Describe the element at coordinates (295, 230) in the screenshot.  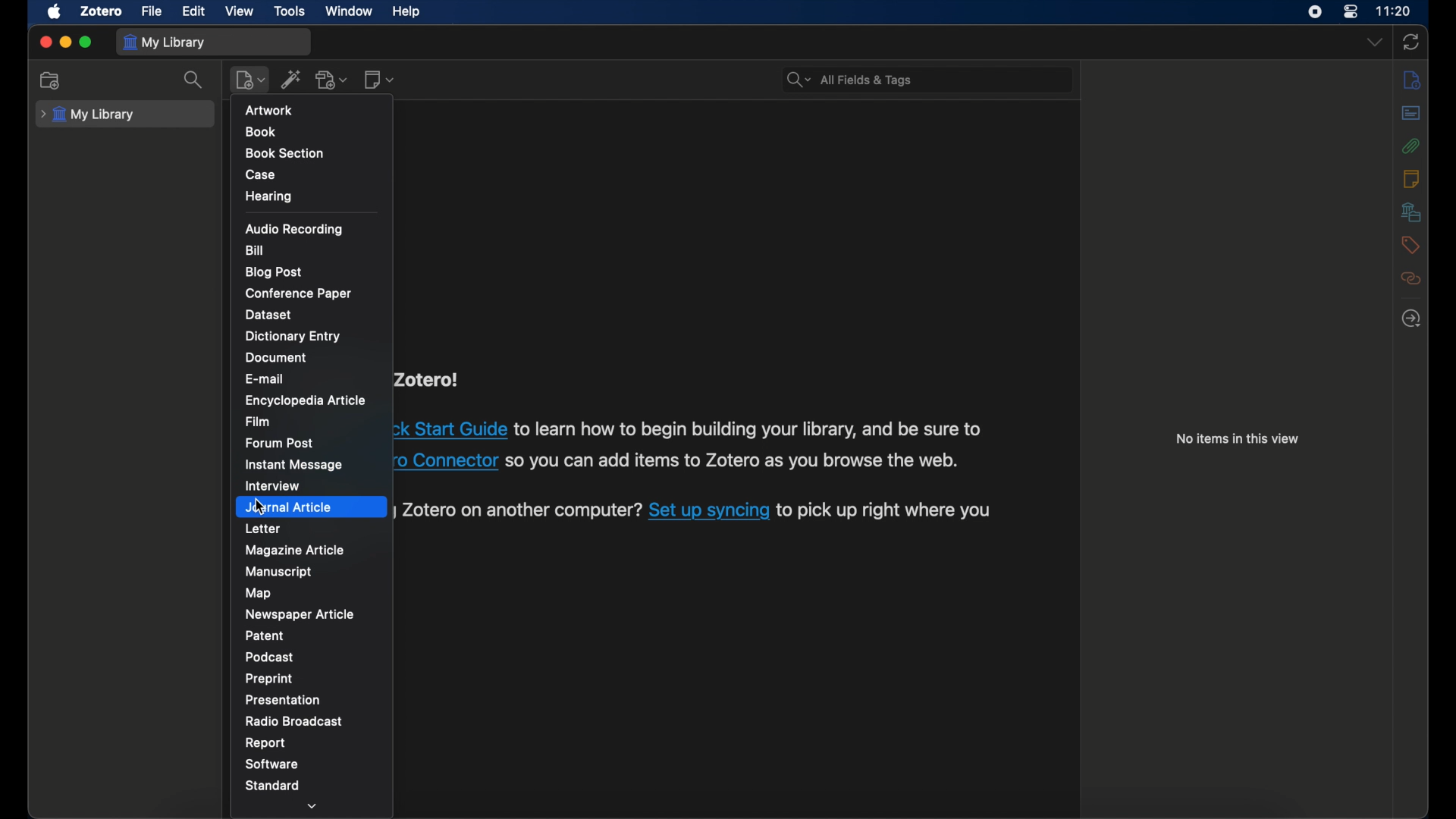
I see `audio recording` at that location.